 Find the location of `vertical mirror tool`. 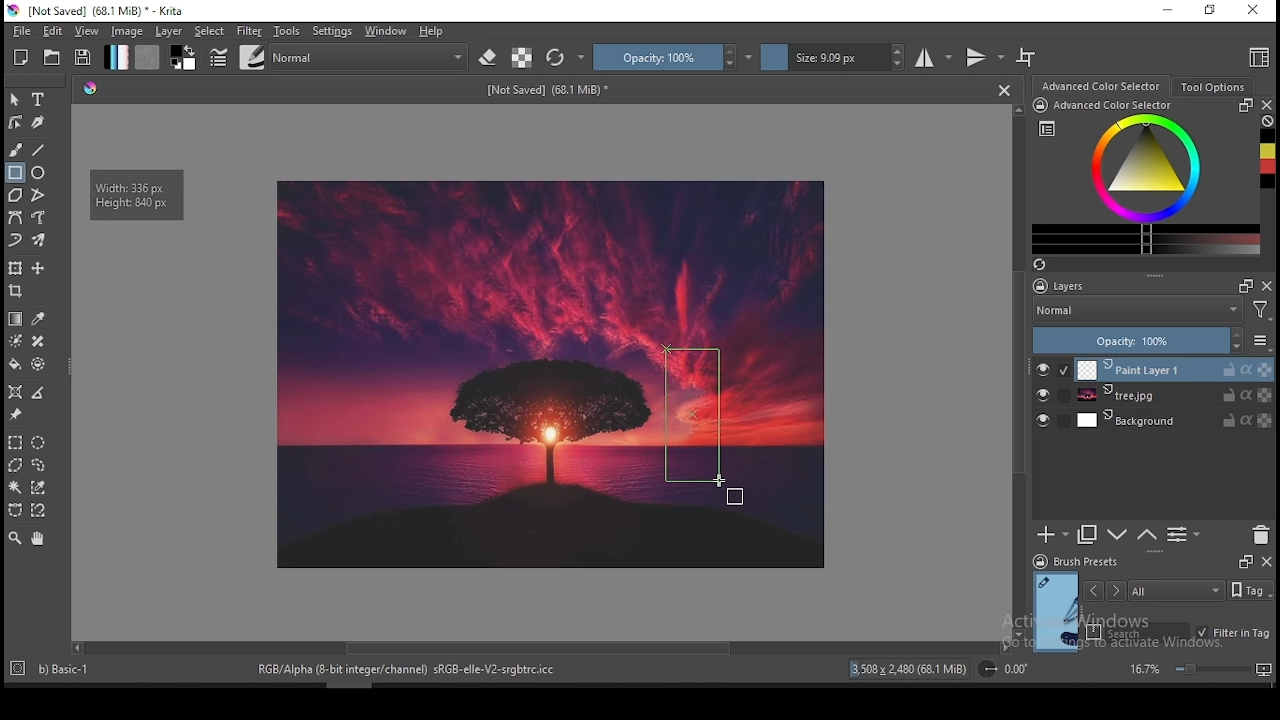

vertical mirror tool is located at coordinates (984, 58).